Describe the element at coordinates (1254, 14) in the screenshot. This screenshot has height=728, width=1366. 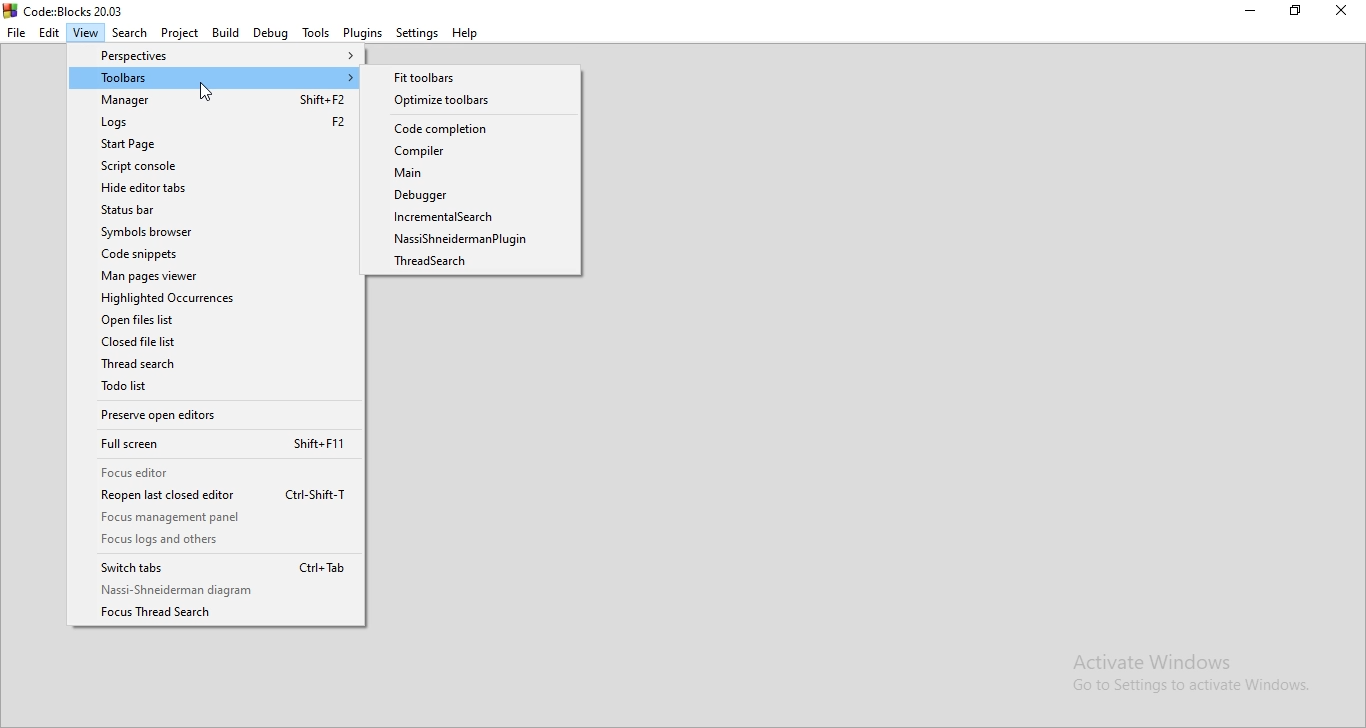
I see `Minimise` at that location.